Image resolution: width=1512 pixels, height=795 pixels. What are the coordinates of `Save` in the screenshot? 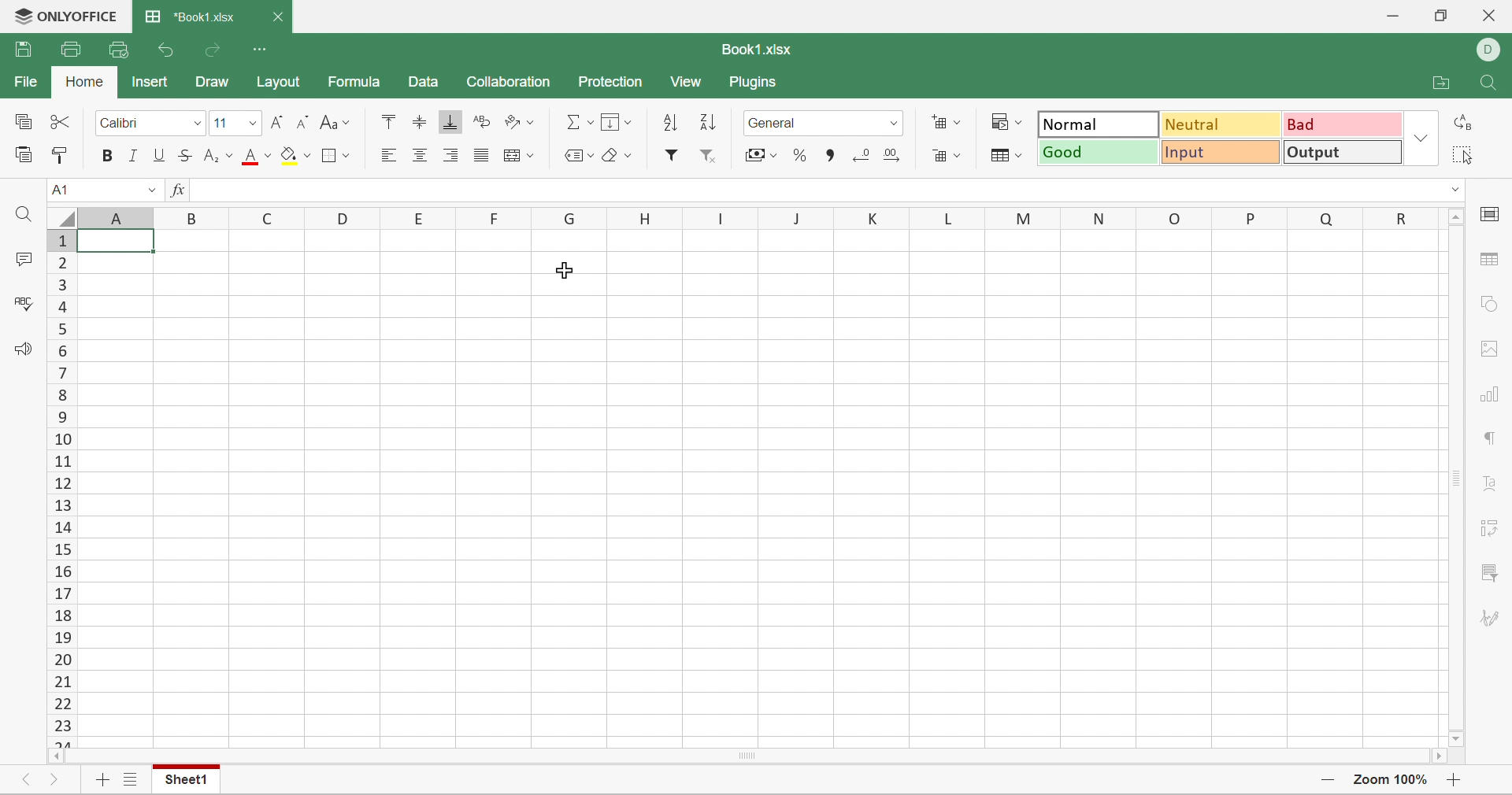 It's located at (24, 48).